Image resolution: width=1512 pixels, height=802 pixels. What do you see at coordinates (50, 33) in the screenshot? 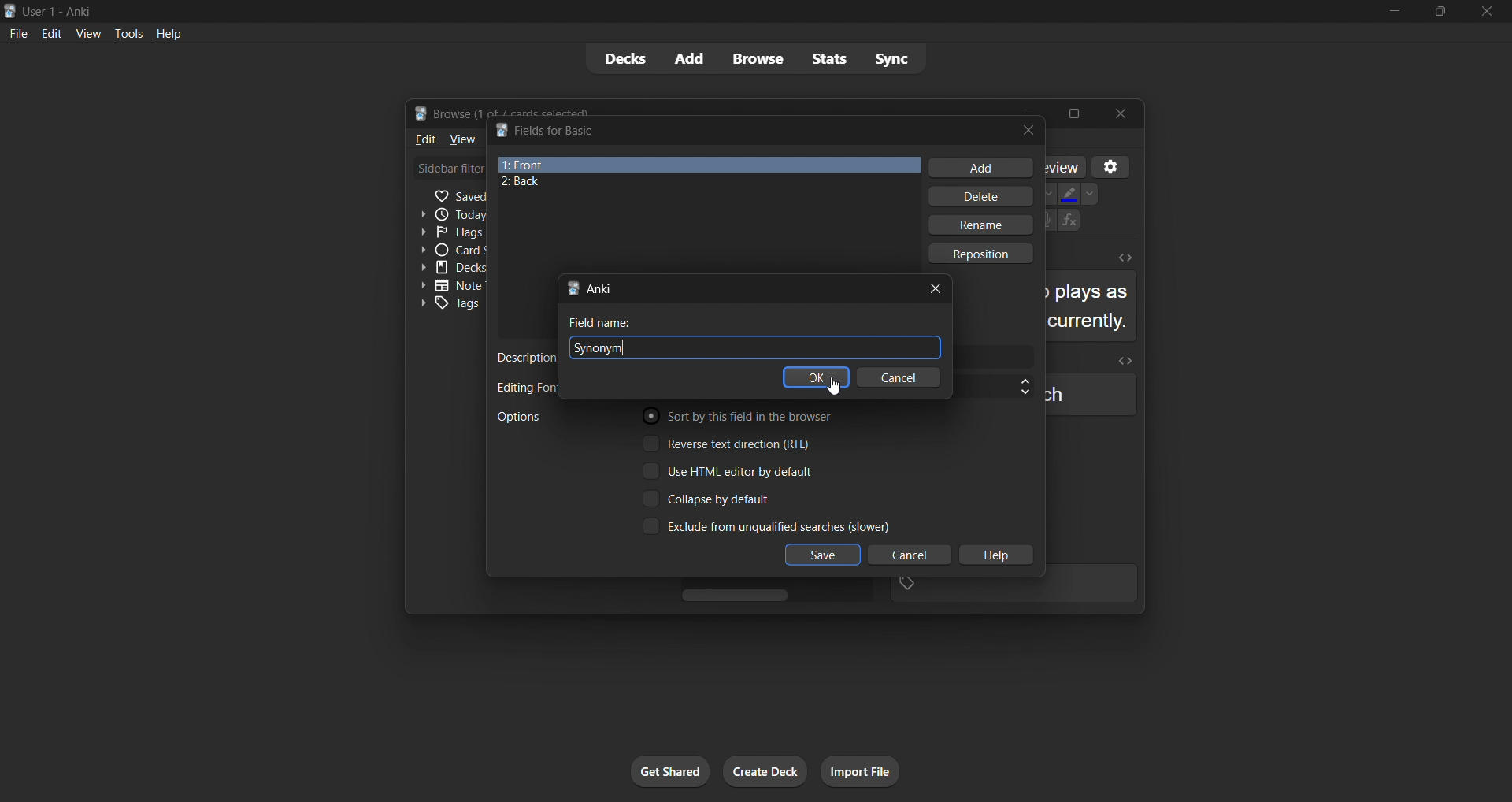
I see `edit` at bounding box center [50, 33].